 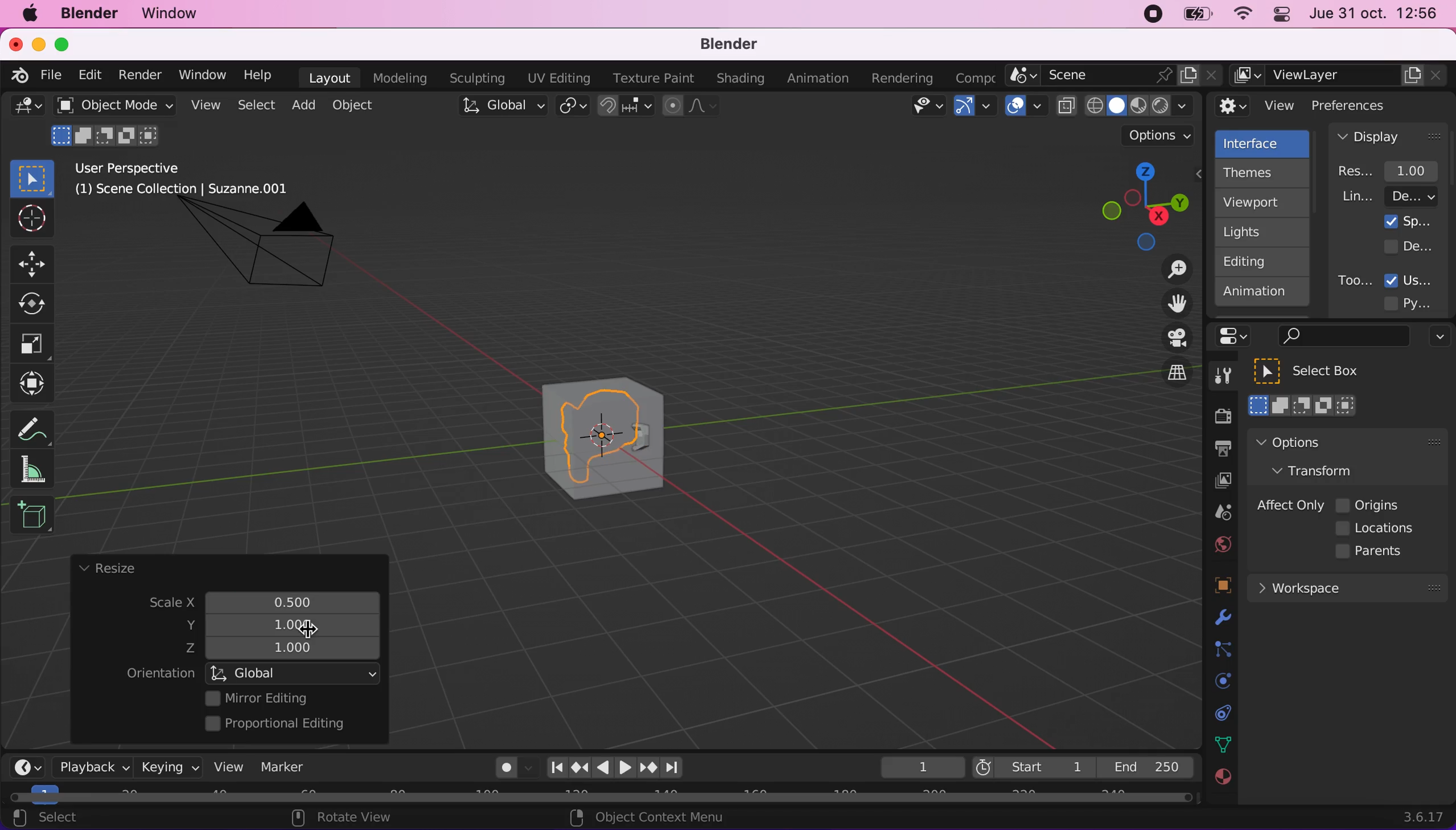 What do you see at coordinates (821, 79) in the screenshot?
I see `animation` at bounding box center [821, 79].